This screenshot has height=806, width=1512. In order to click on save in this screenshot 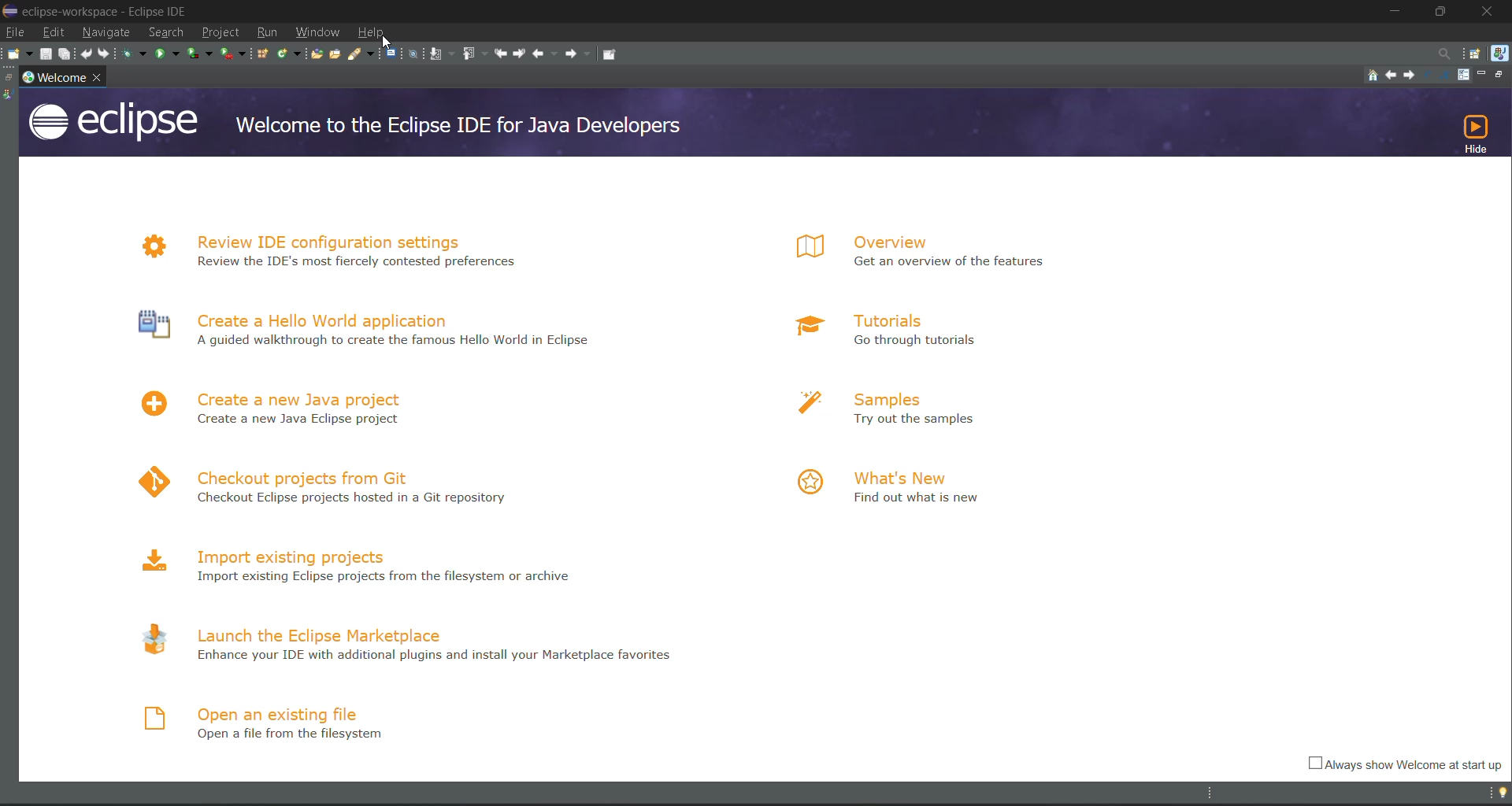, I will do `click(46, 53)`.